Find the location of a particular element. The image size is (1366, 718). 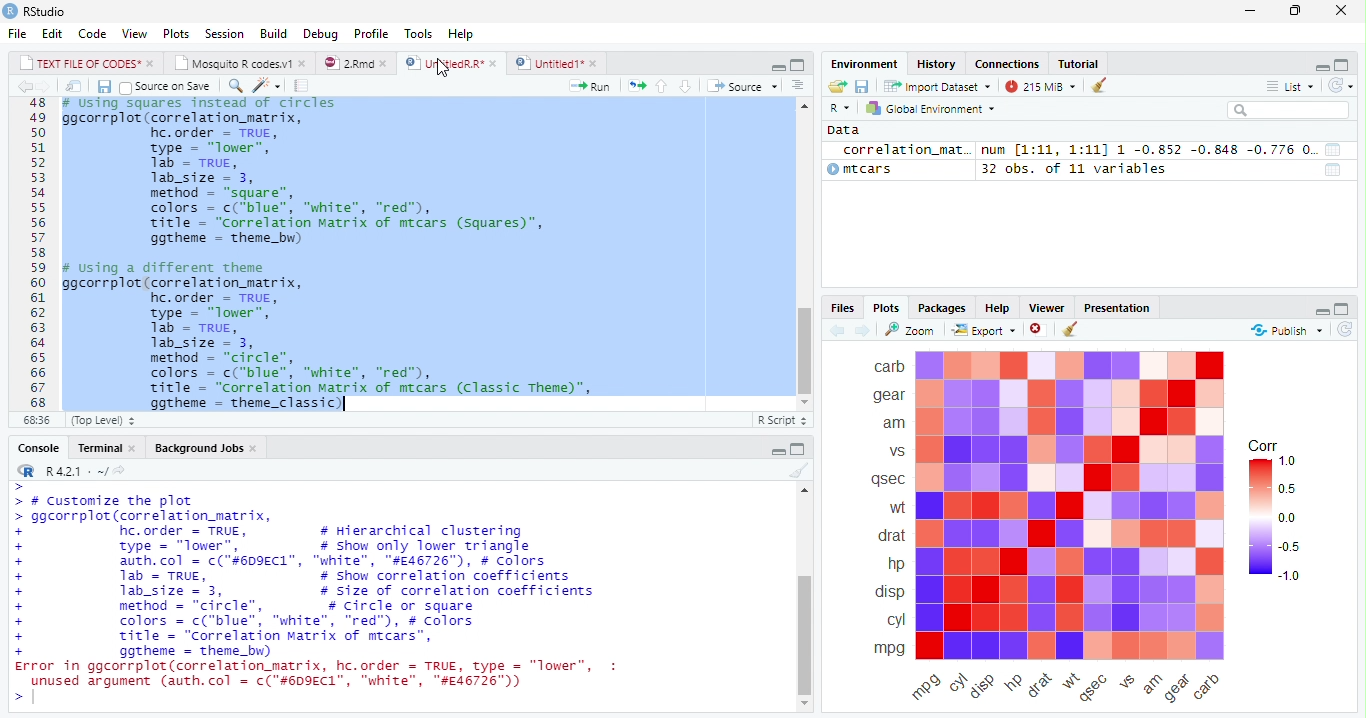

Tutorial is located at coordinates (1080, 63).